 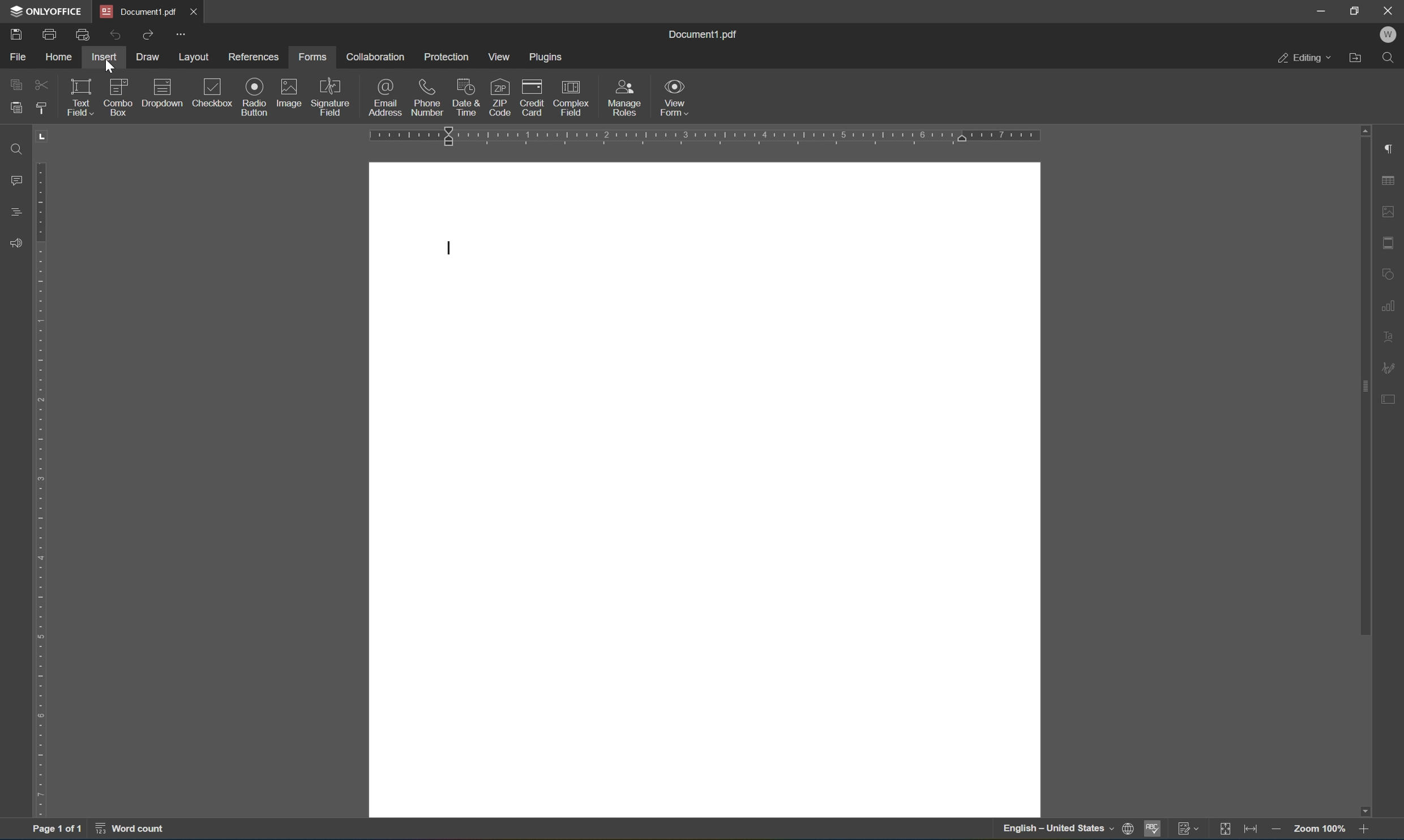 I want to click on manage roles, so click(x=623, y=98).